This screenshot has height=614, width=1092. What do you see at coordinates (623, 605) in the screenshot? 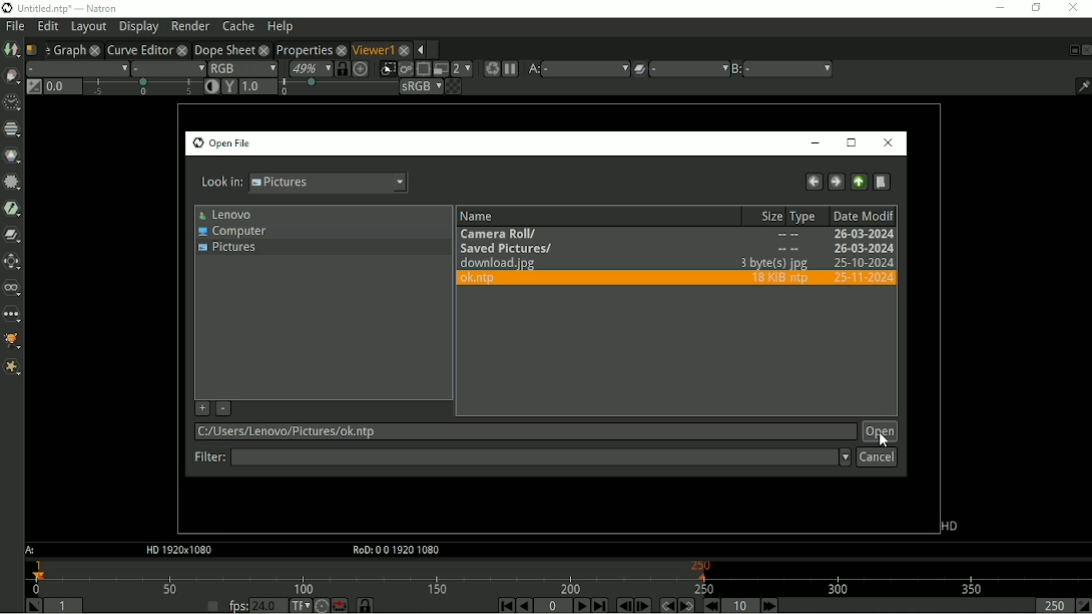
I see `Previous frame` at bounding box center [623, 605].